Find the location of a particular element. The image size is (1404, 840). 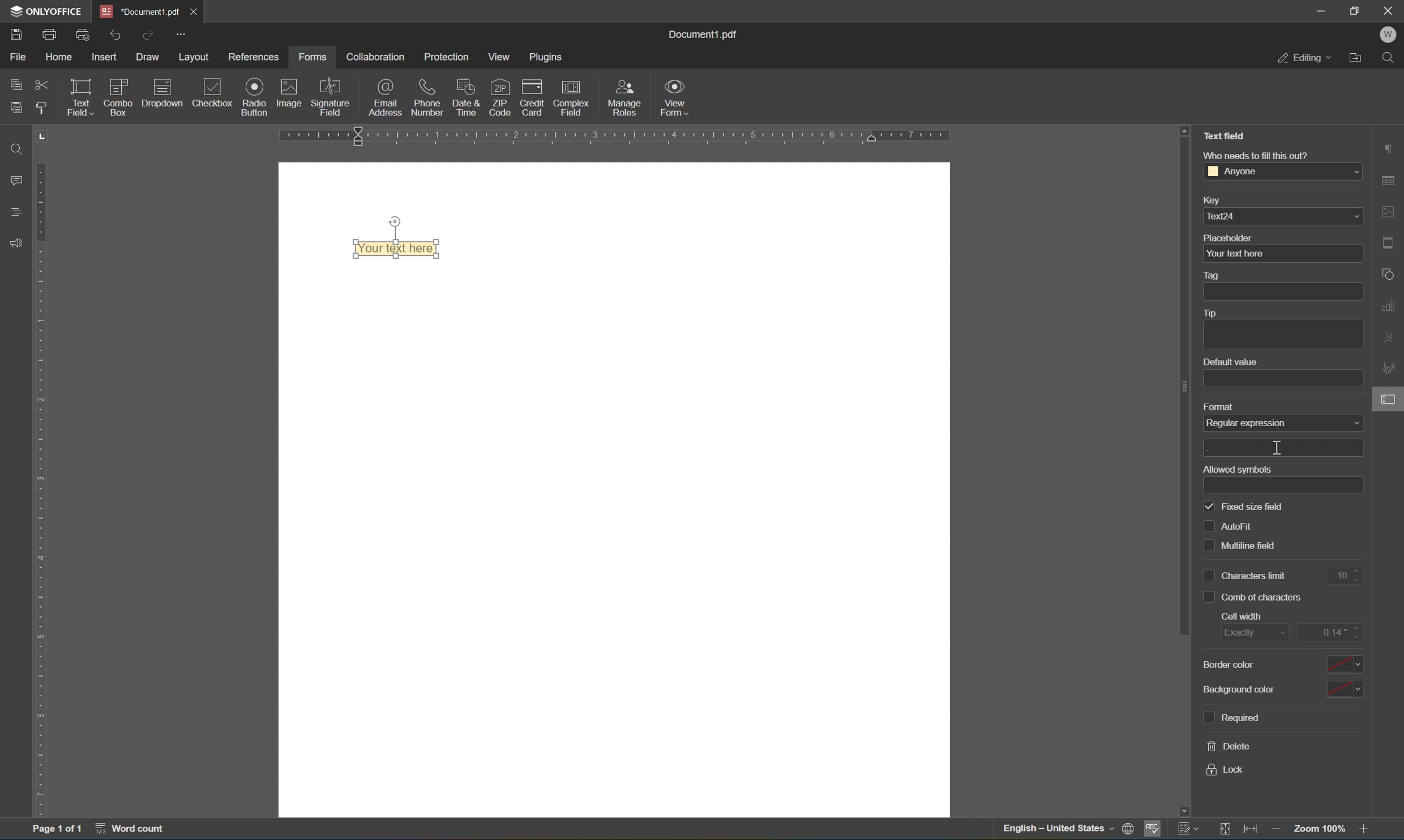

home is located at coordinates (58, 59).